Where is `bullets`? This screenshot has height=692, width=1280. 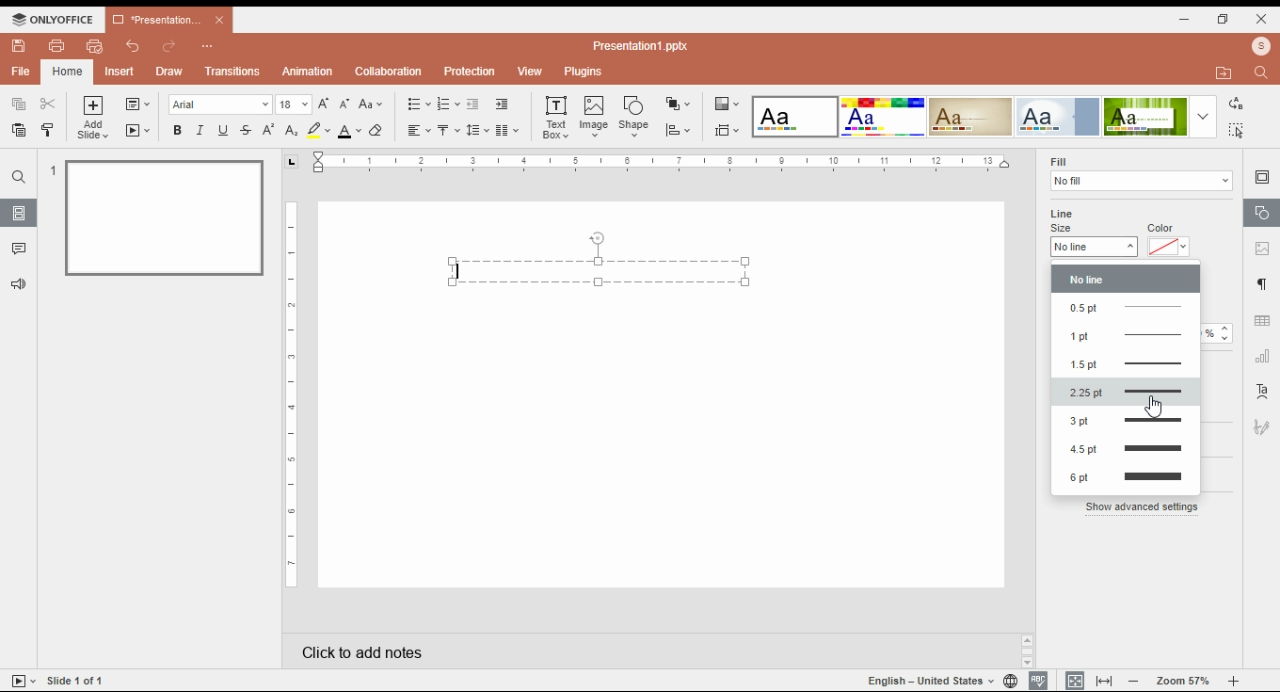 bullets is located at coordinates (418, 103).